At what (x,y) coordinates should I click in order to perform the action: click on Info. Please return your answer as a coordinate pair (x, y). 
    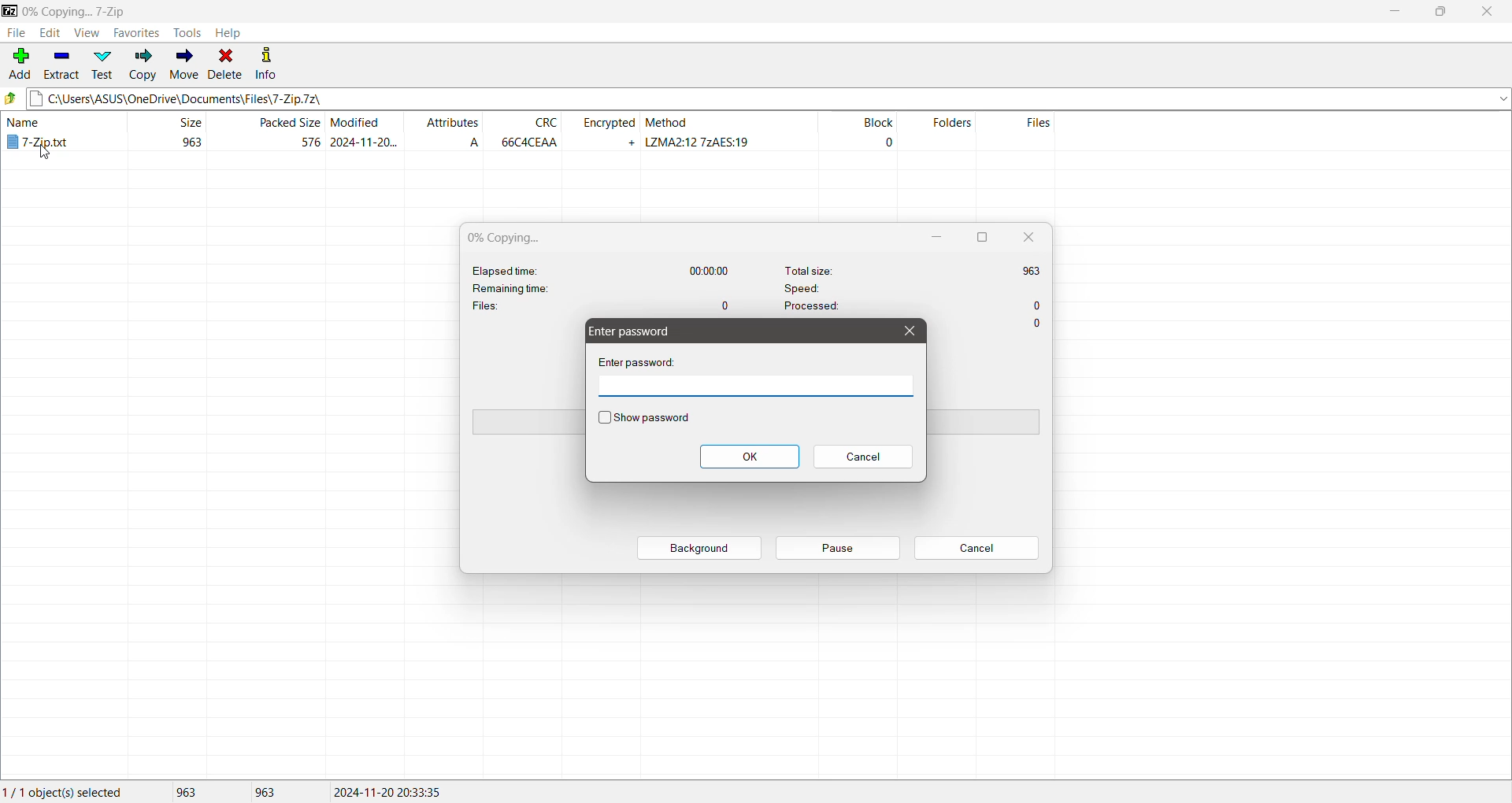
    Looking at the image, I should click on (266, 61).